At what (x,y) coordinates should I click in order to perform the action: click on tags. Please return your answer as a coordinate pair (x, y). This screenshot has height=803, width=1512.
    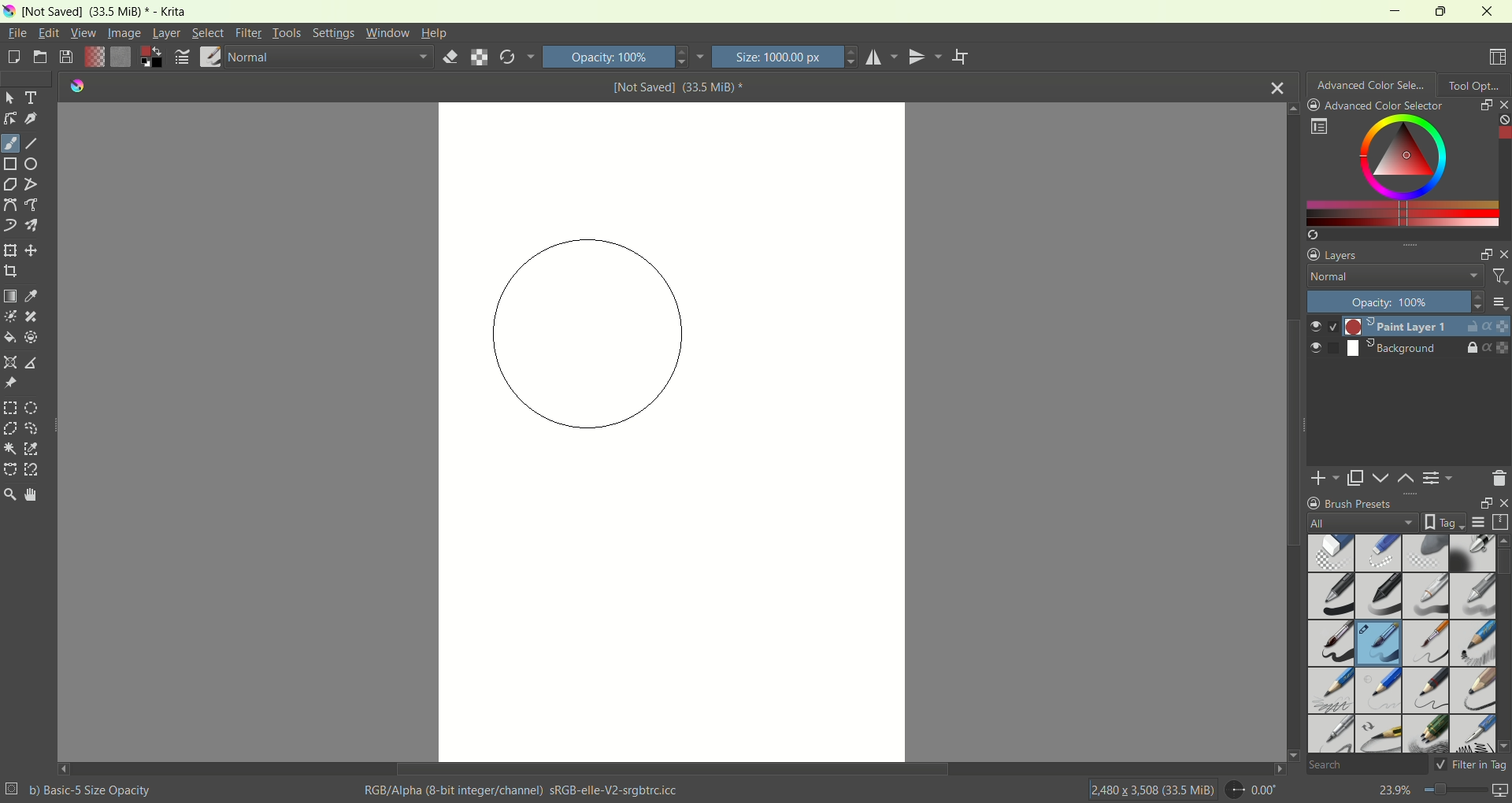
    Looking at the image, I should click on (1440, 522).